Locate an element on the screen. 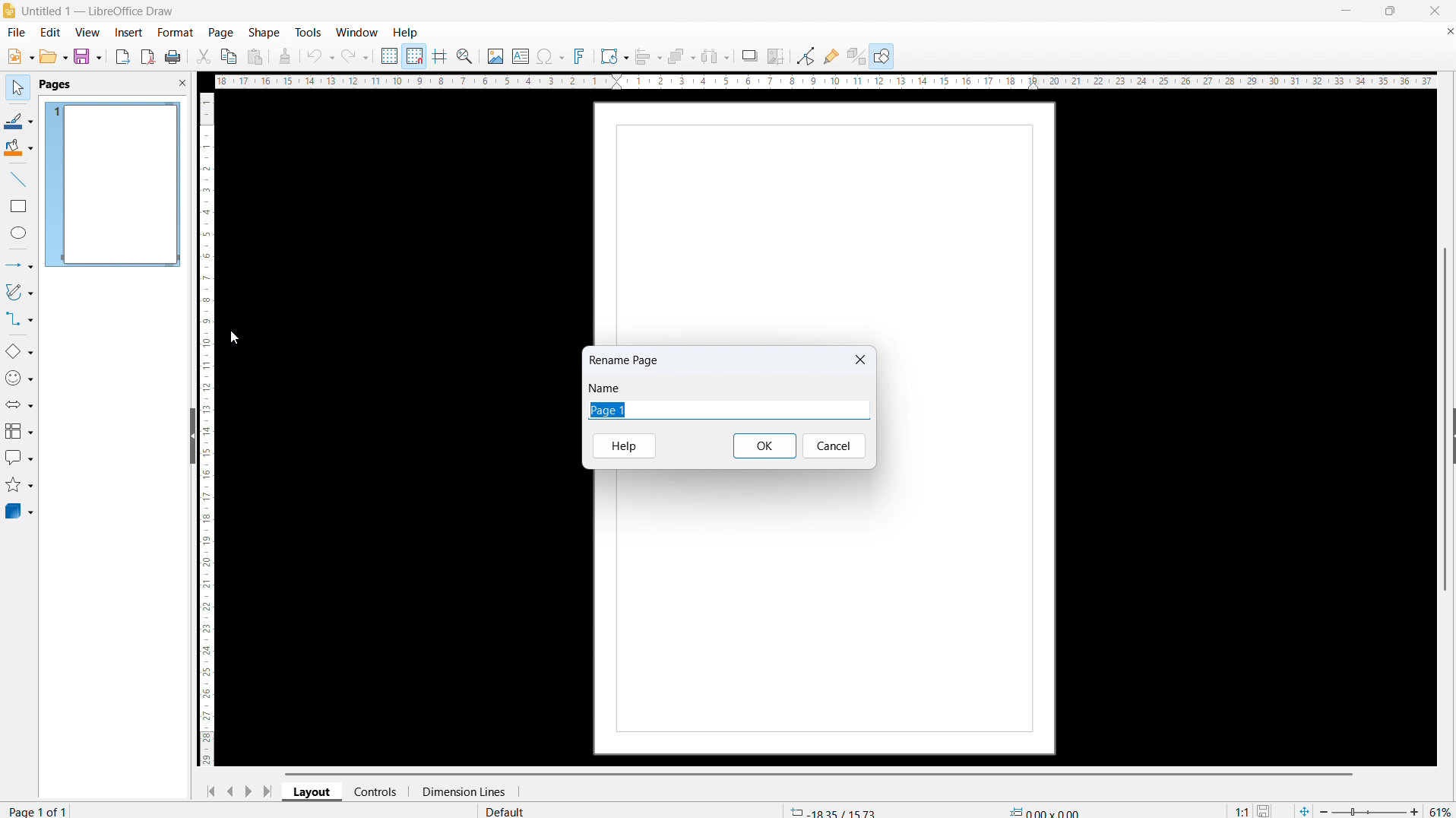  maximize is located at coordinates (1390, 11).